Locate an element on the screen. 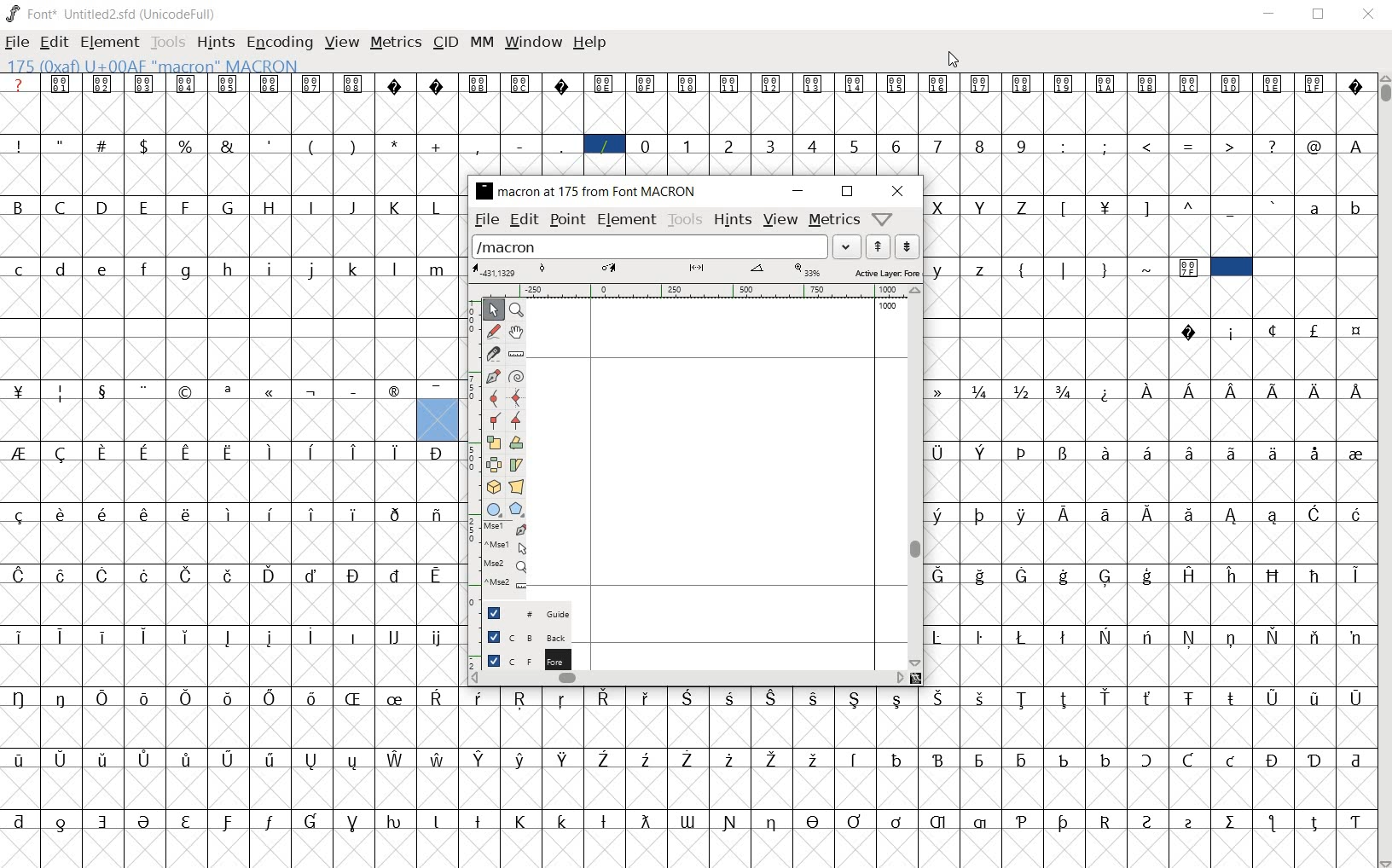 The width and height of the screenshot is (1392, 868). Symbol is located at coordinates (1105, 85).